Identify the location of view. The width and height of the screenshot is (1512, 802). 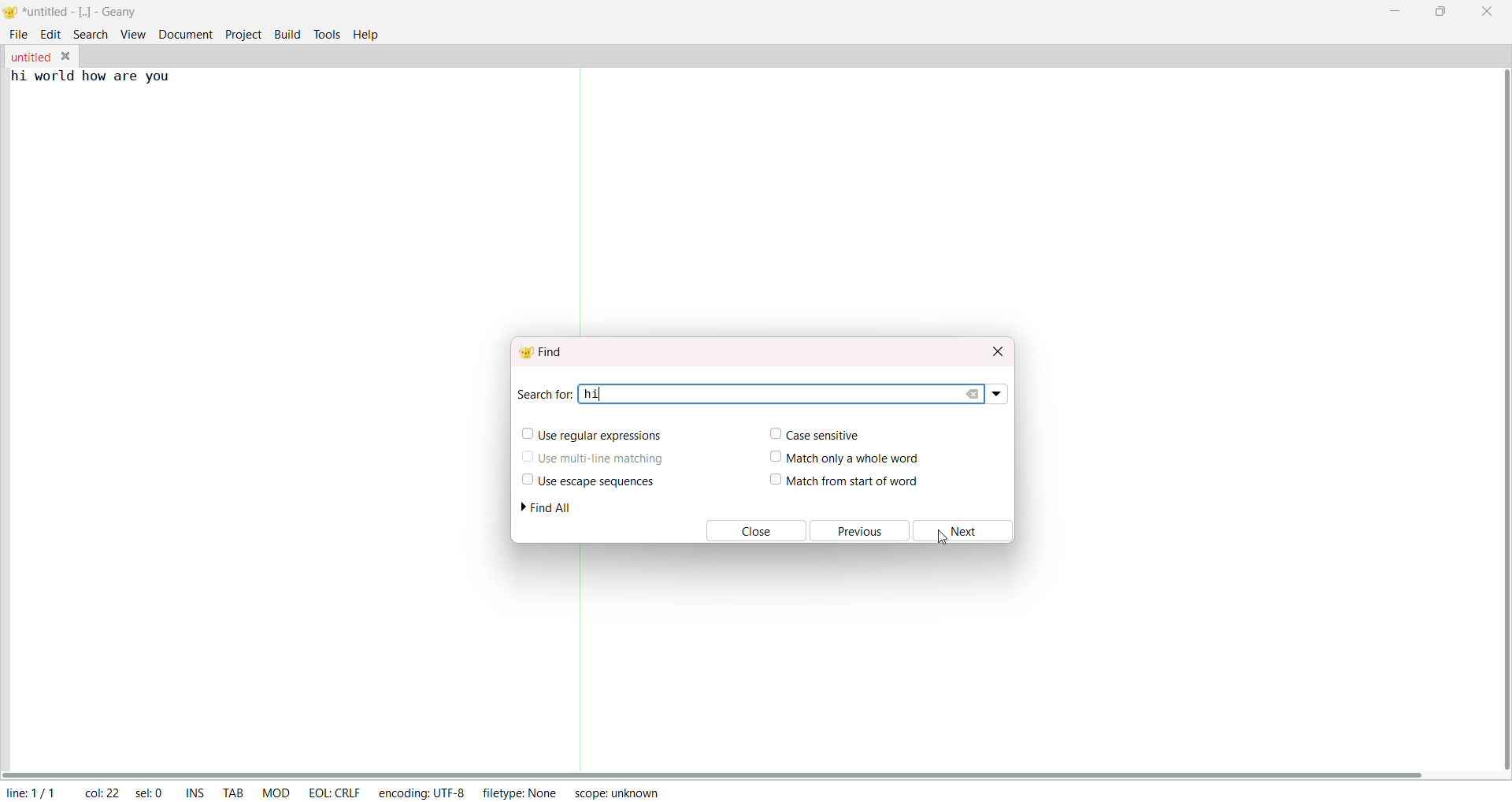
(134, 34).